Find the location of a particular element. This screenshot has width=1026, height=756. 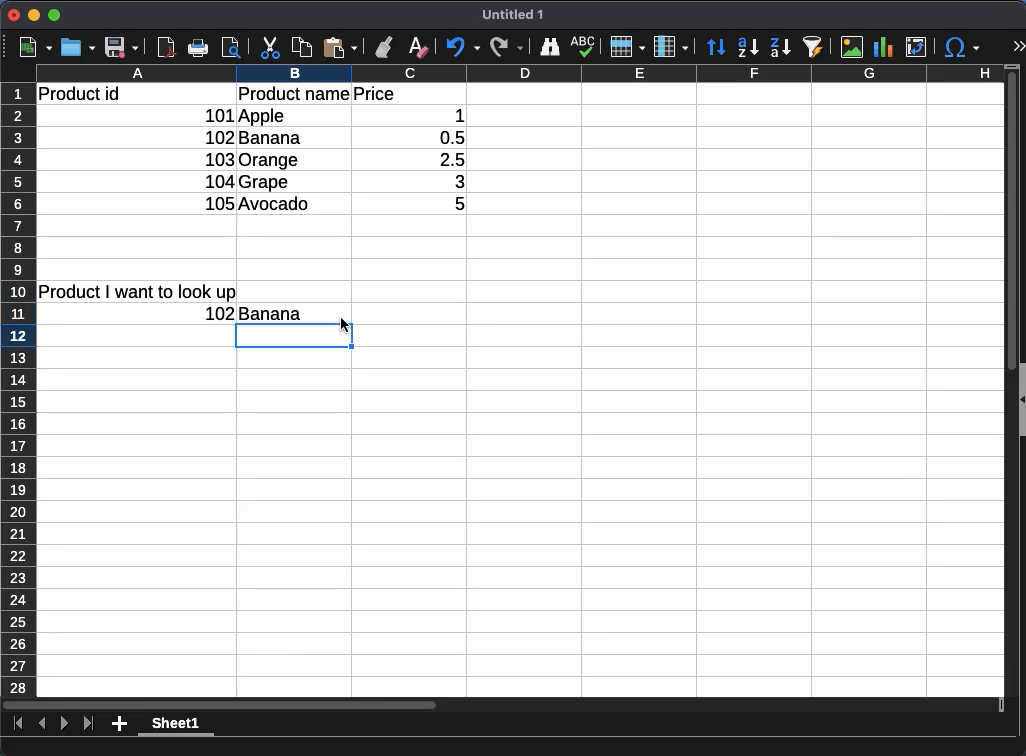

previous sheet is located at coordinates (42, 724).